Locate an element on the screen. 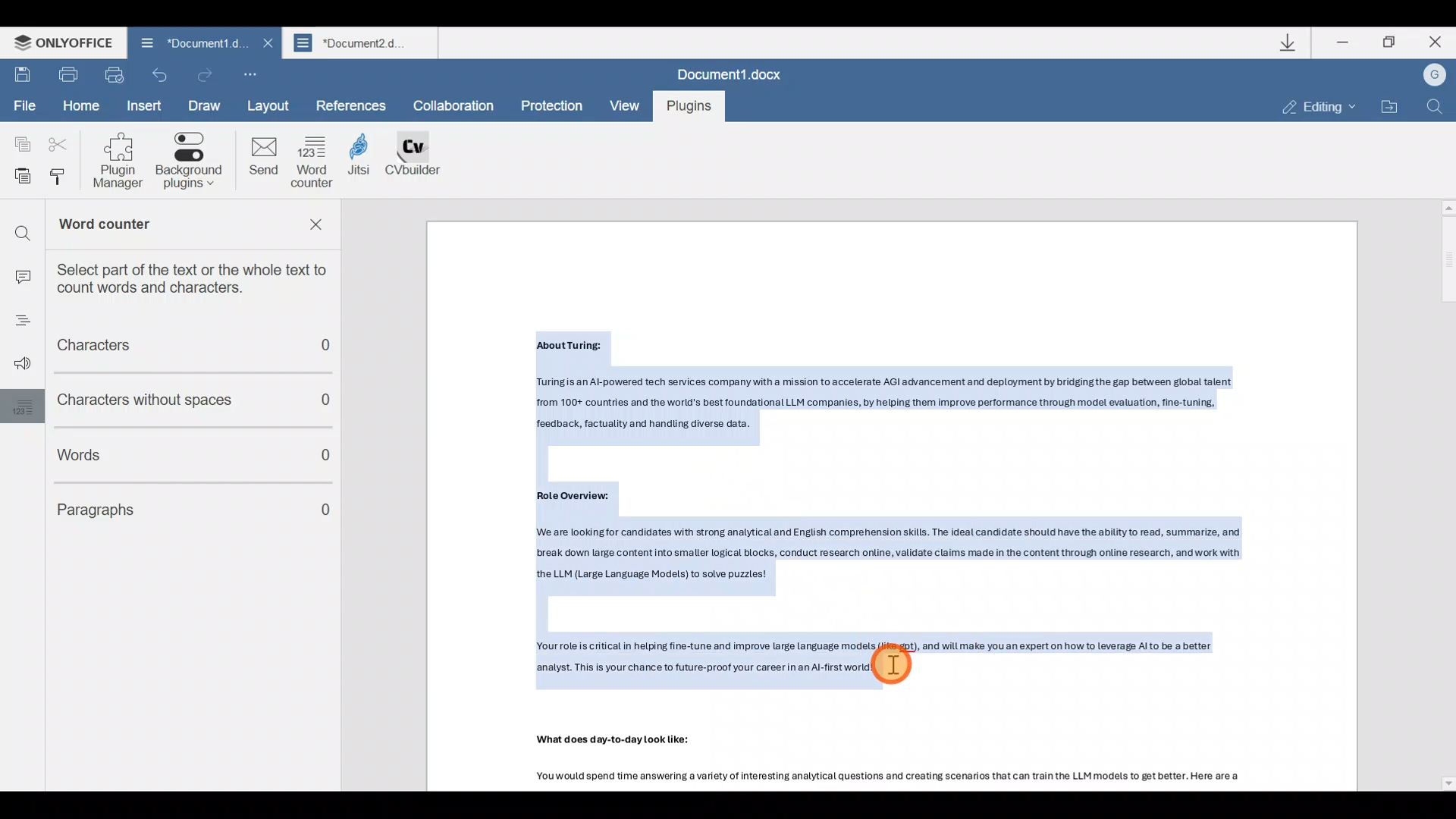 The height and width of the screenshot is (819, 1456). Layout is located at coordinates (274, 104).